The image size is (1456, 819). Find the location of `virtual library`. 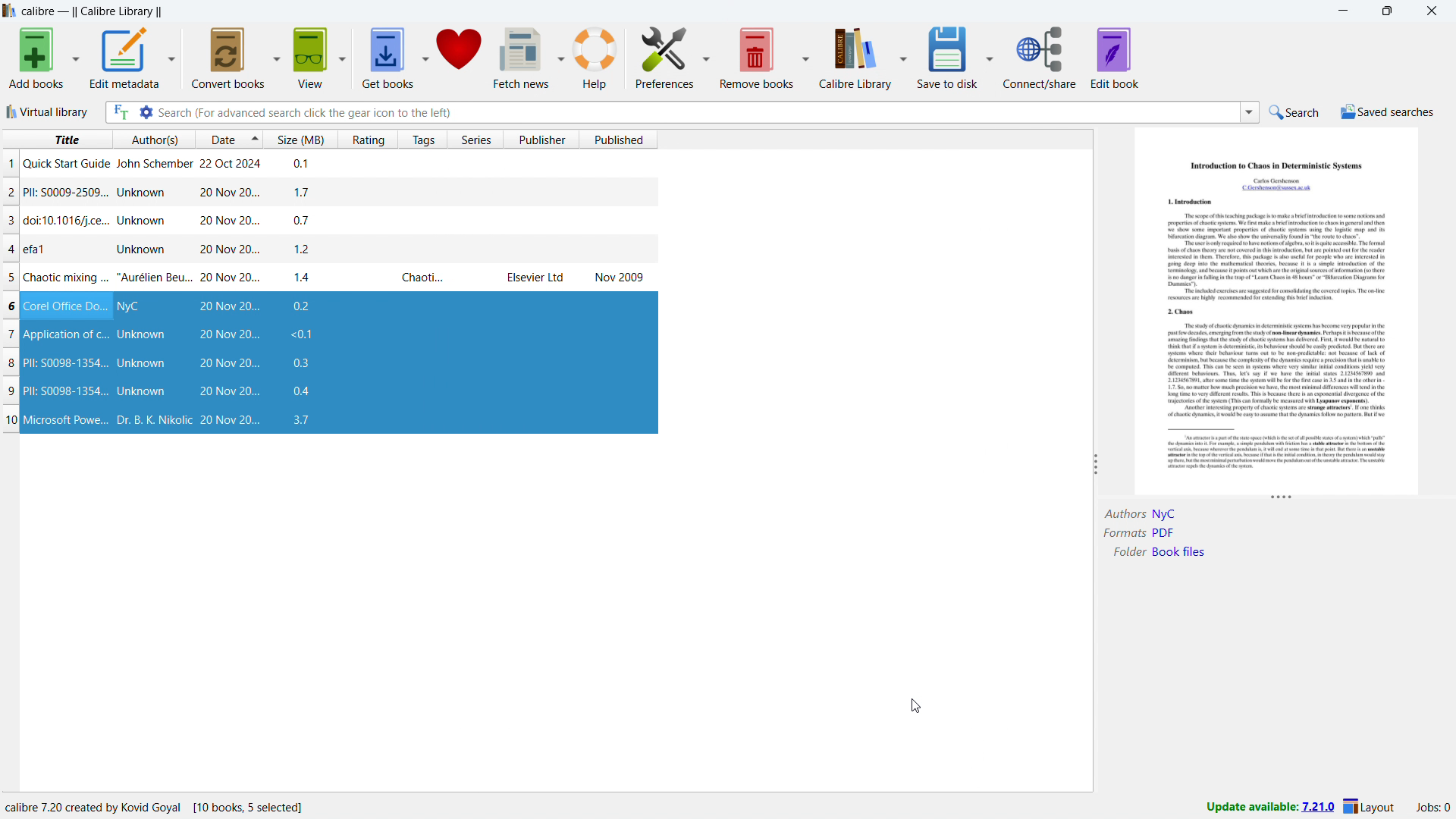

virtual library is located at coordinates (46, 111).